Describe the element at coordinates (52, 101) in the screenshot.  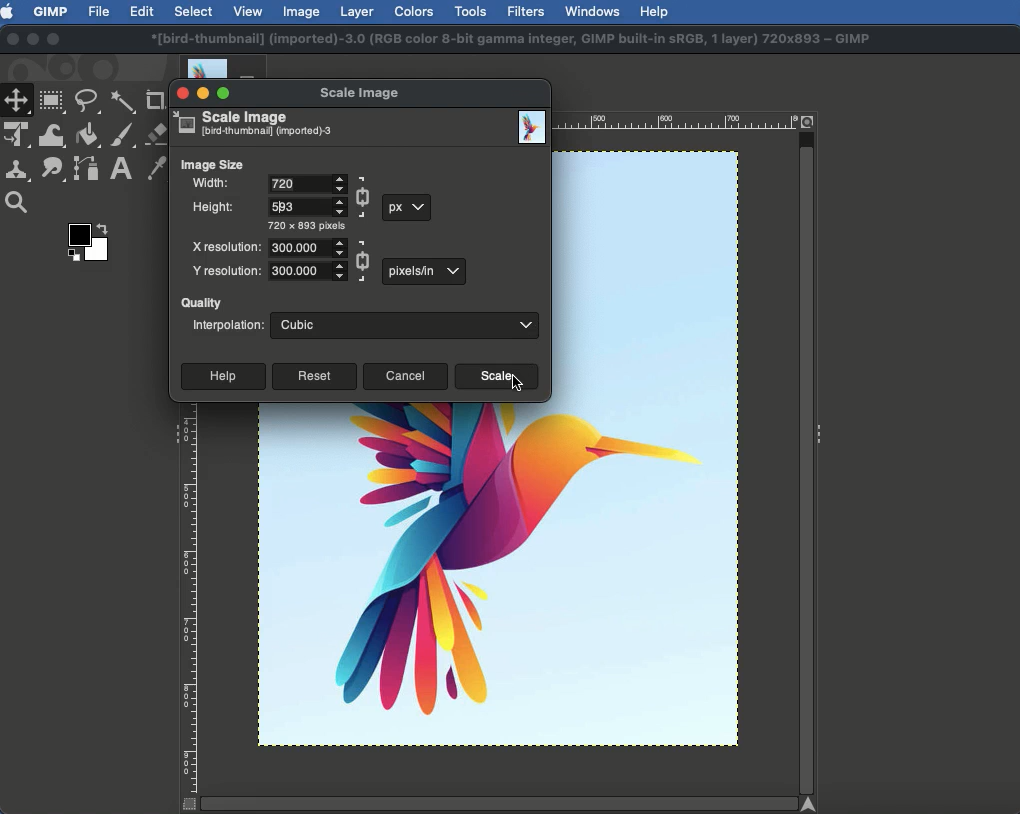
I see `Rectangular selector` at that location.